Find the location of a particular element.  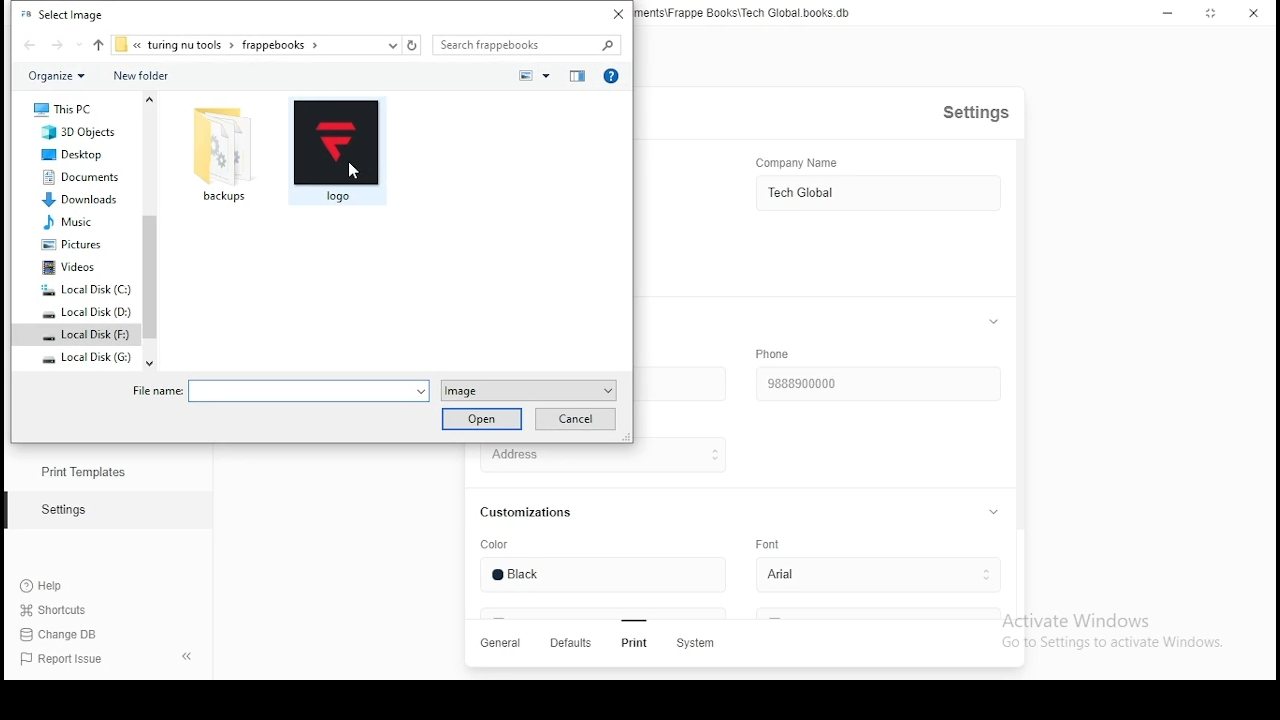

close  is located at coordinates (618, 13).